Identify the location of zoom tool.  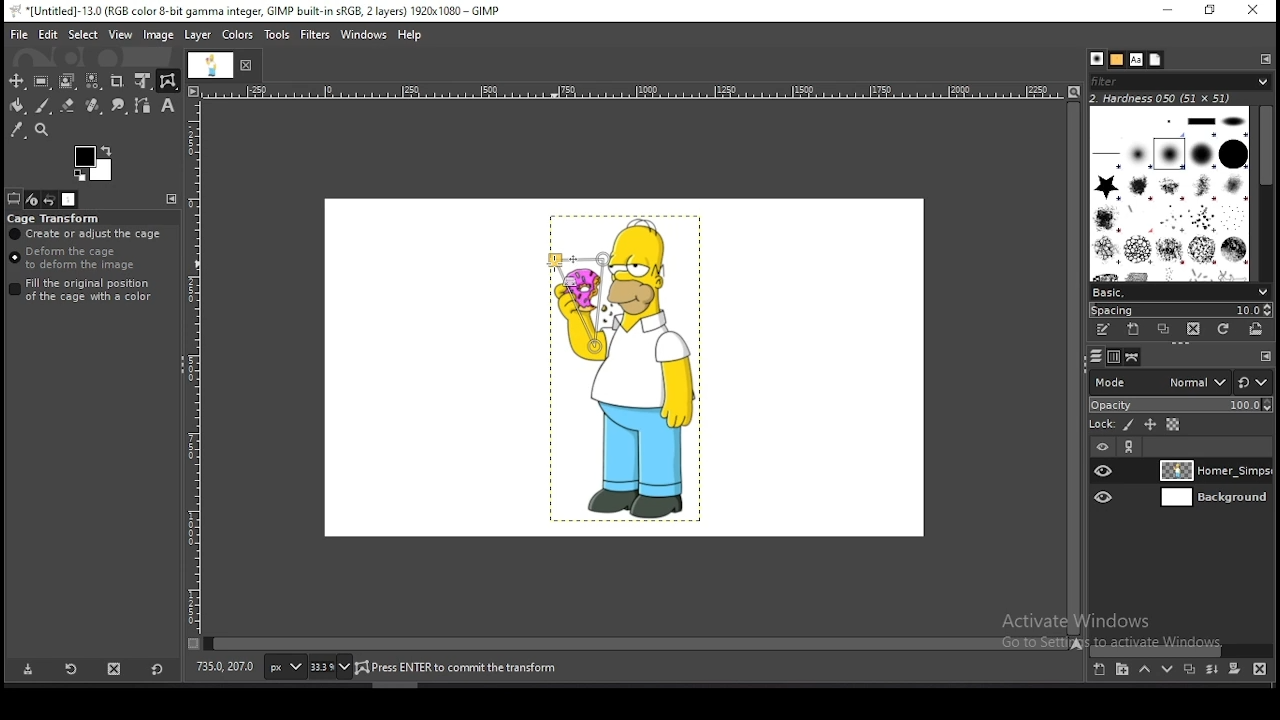
(41, 129).